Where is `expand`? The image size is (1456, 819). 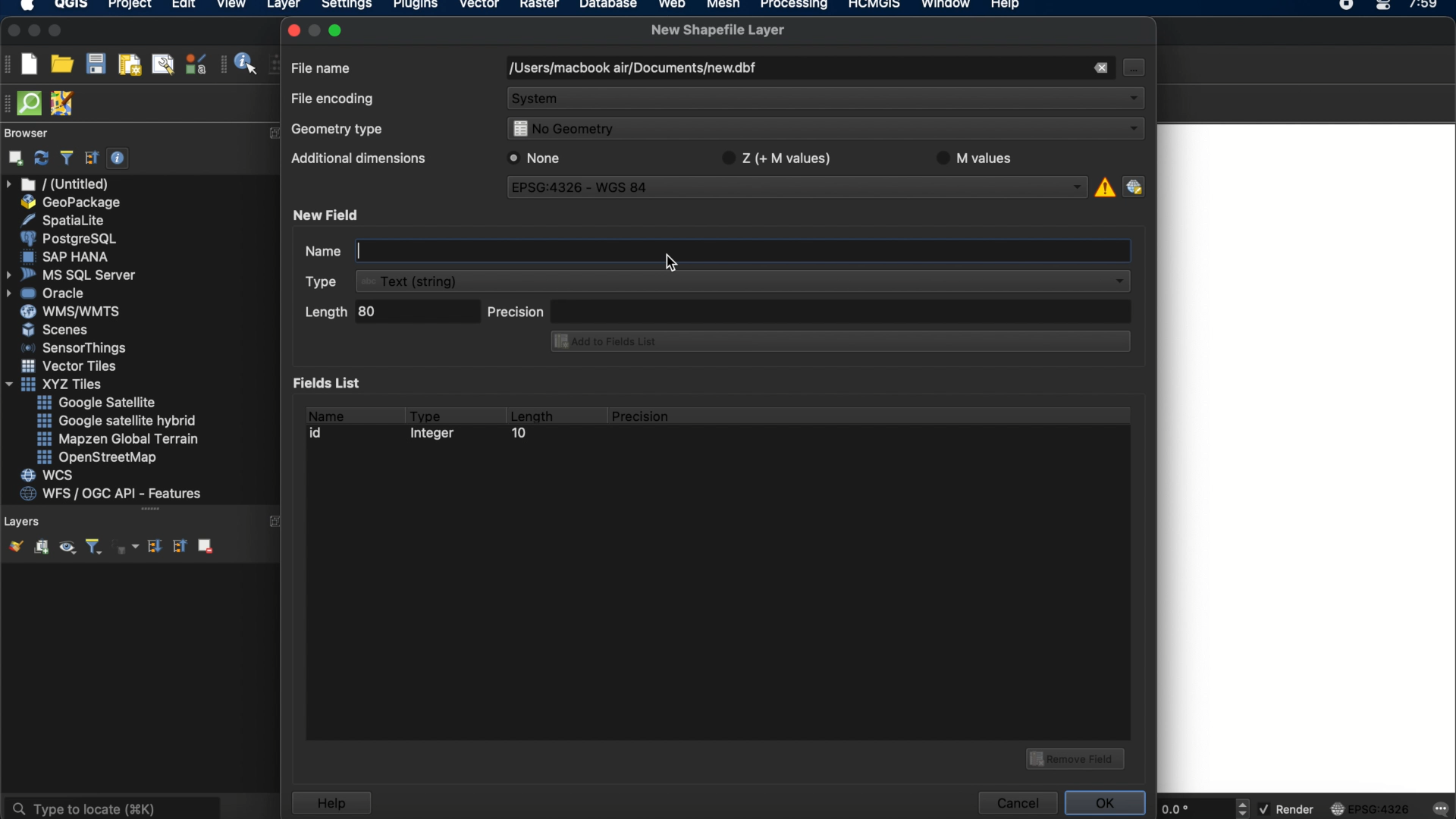
expand is located at coordinates (275, 133).